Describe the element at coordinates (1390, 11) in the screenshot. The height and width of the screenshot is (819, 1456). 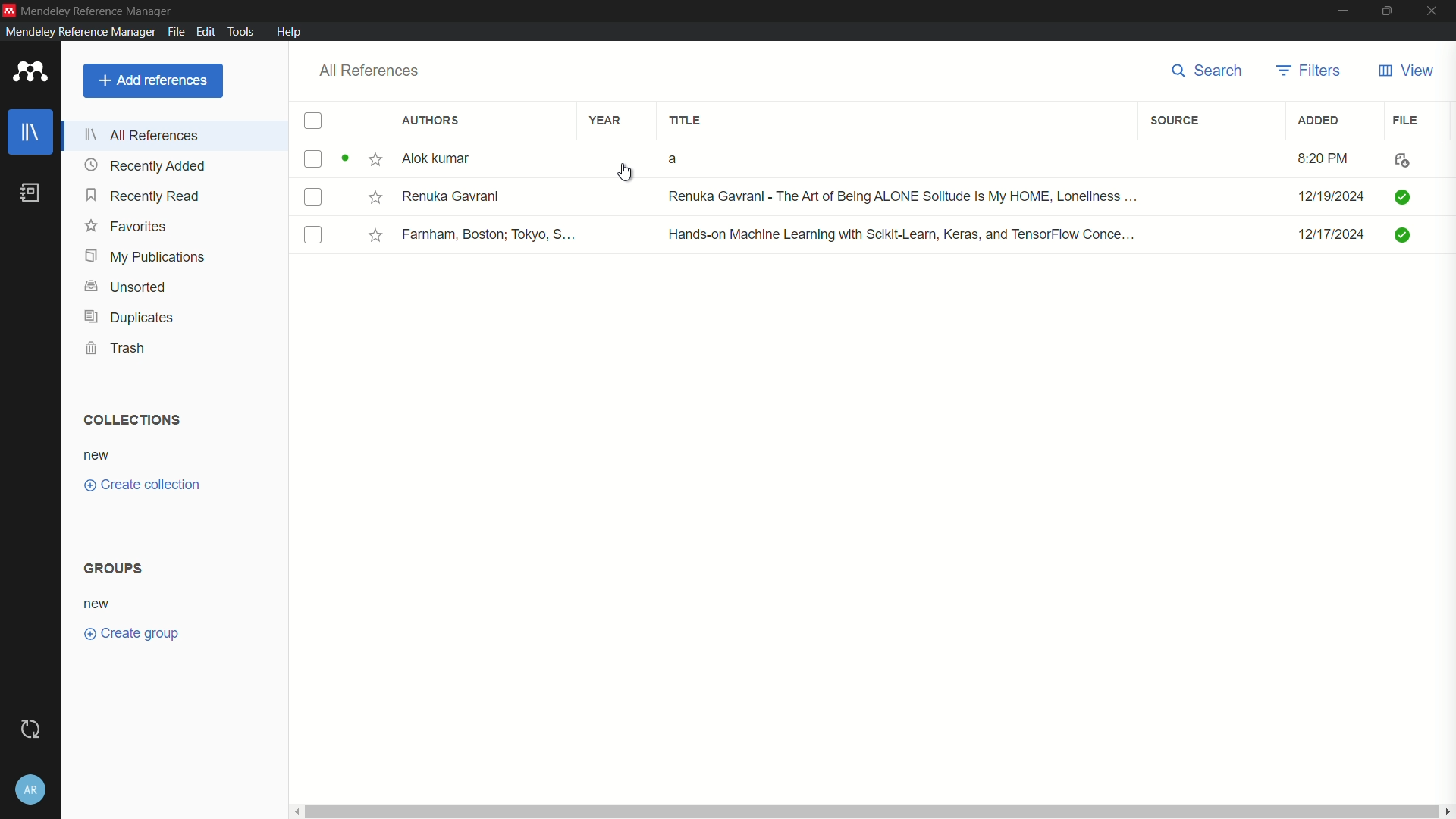
I see `maximize` at that location.